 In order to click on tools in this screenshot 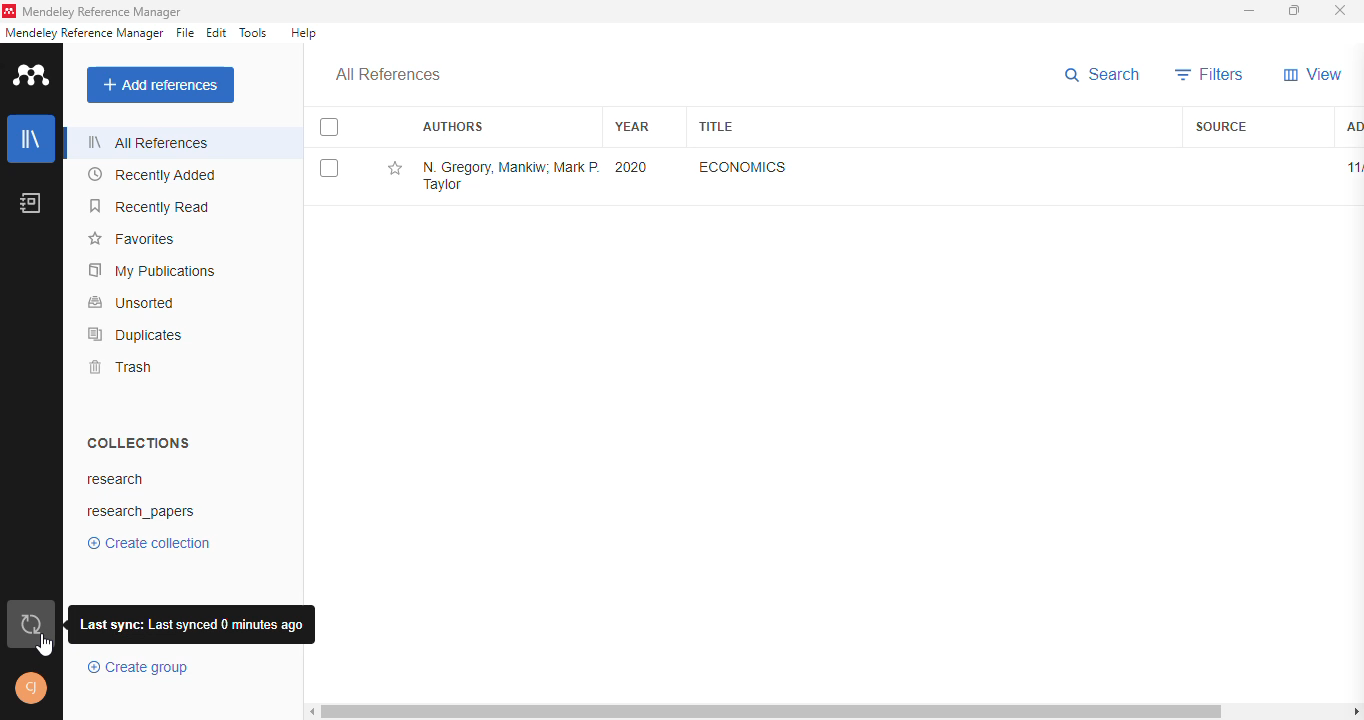, I will do `click(253, 32)`.